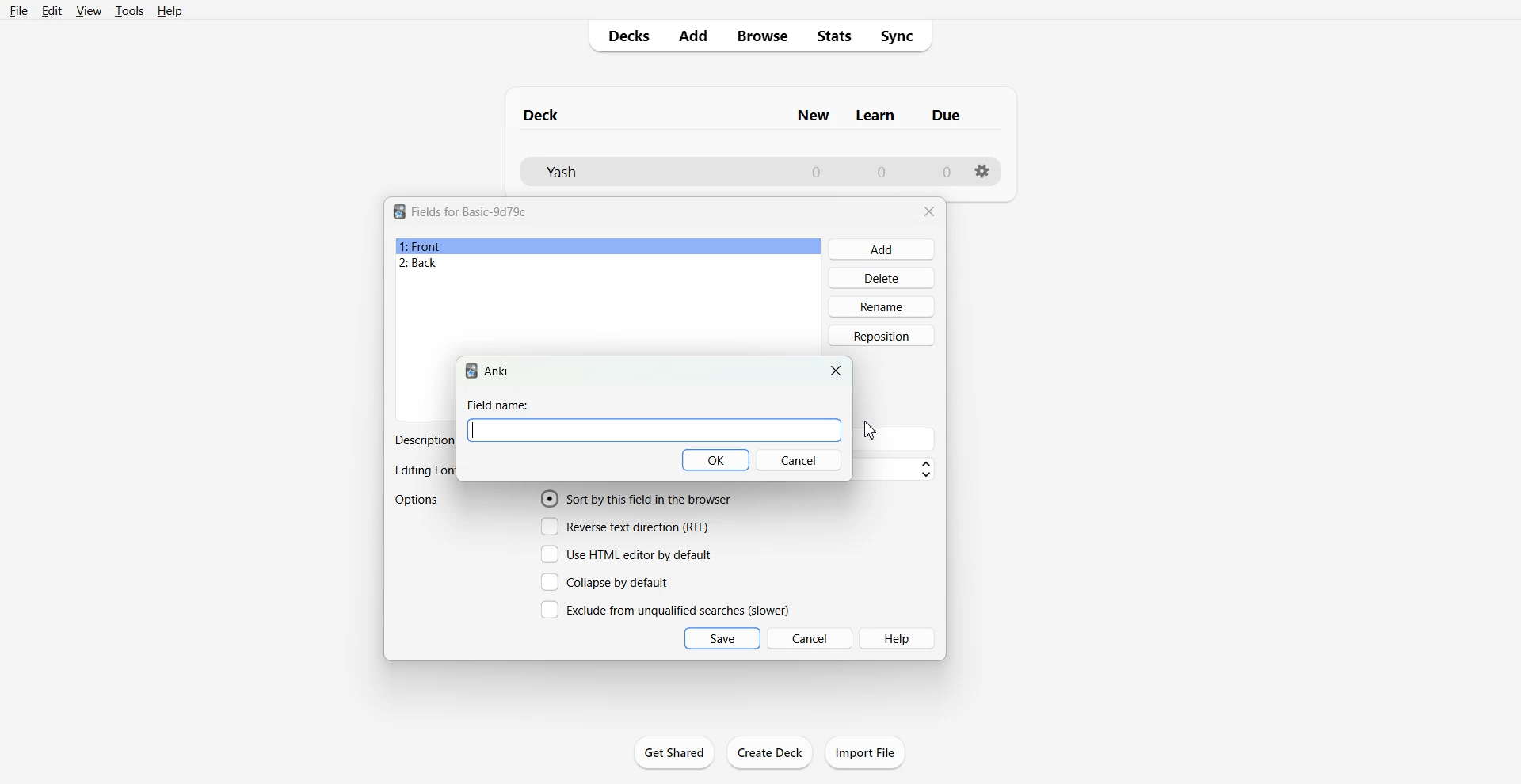 The image size is (1521, 784). I want to click on Text, so click(498, 405).